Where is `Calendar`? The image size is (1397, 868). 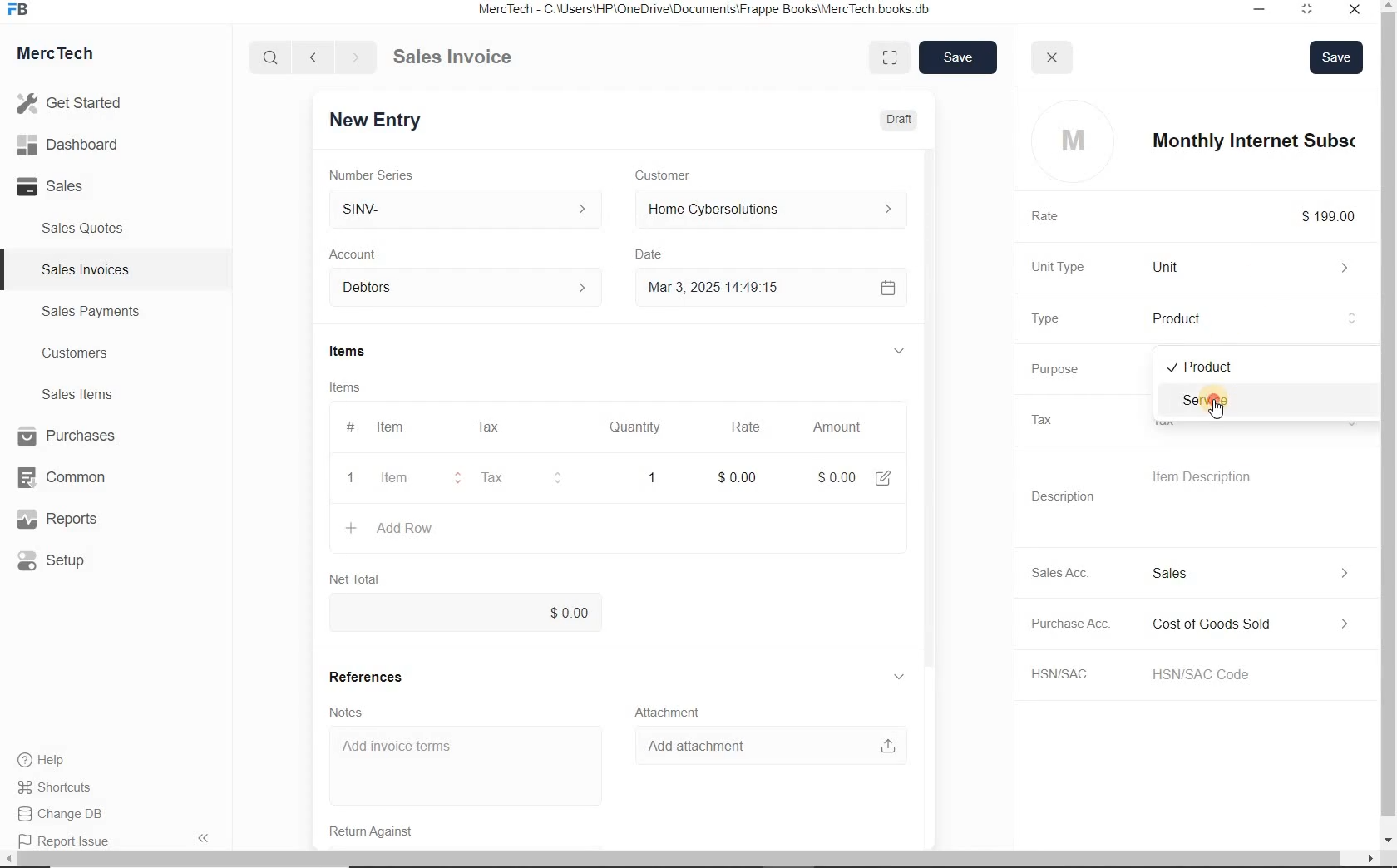
Calendar is located at coordinates (892, 287).